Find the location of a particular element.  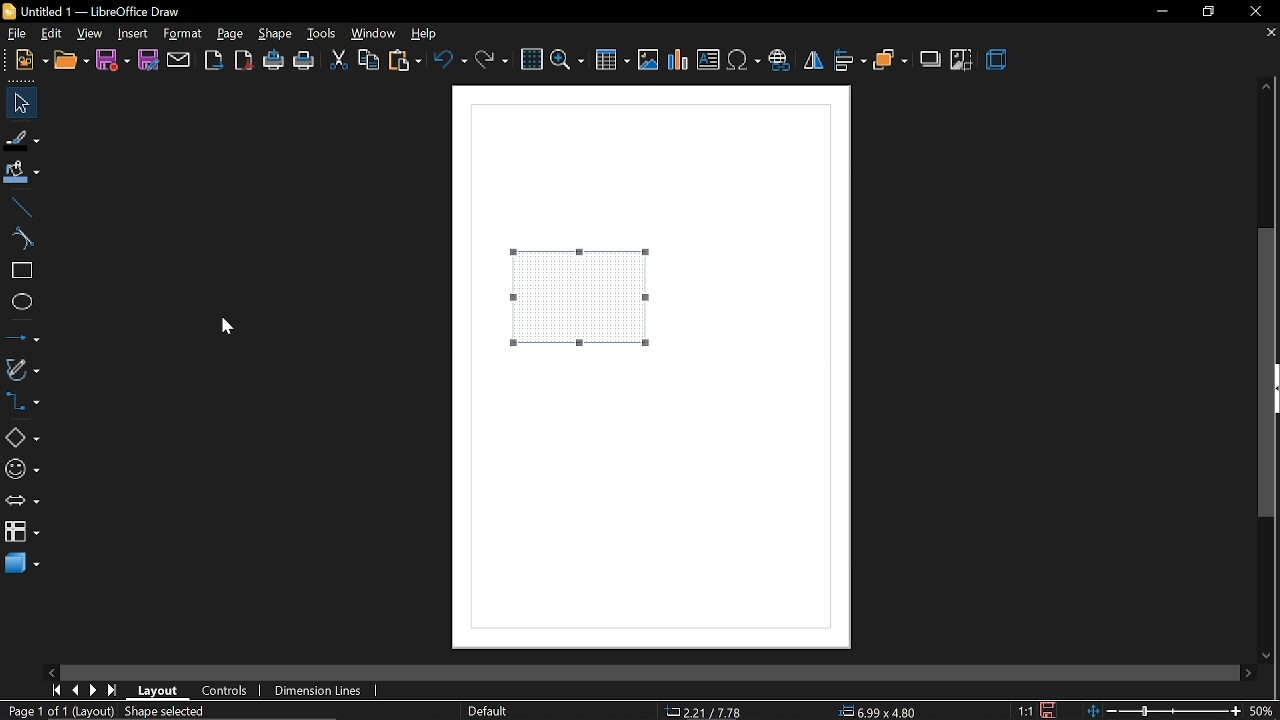

curve is located at coordinates (19, 237).